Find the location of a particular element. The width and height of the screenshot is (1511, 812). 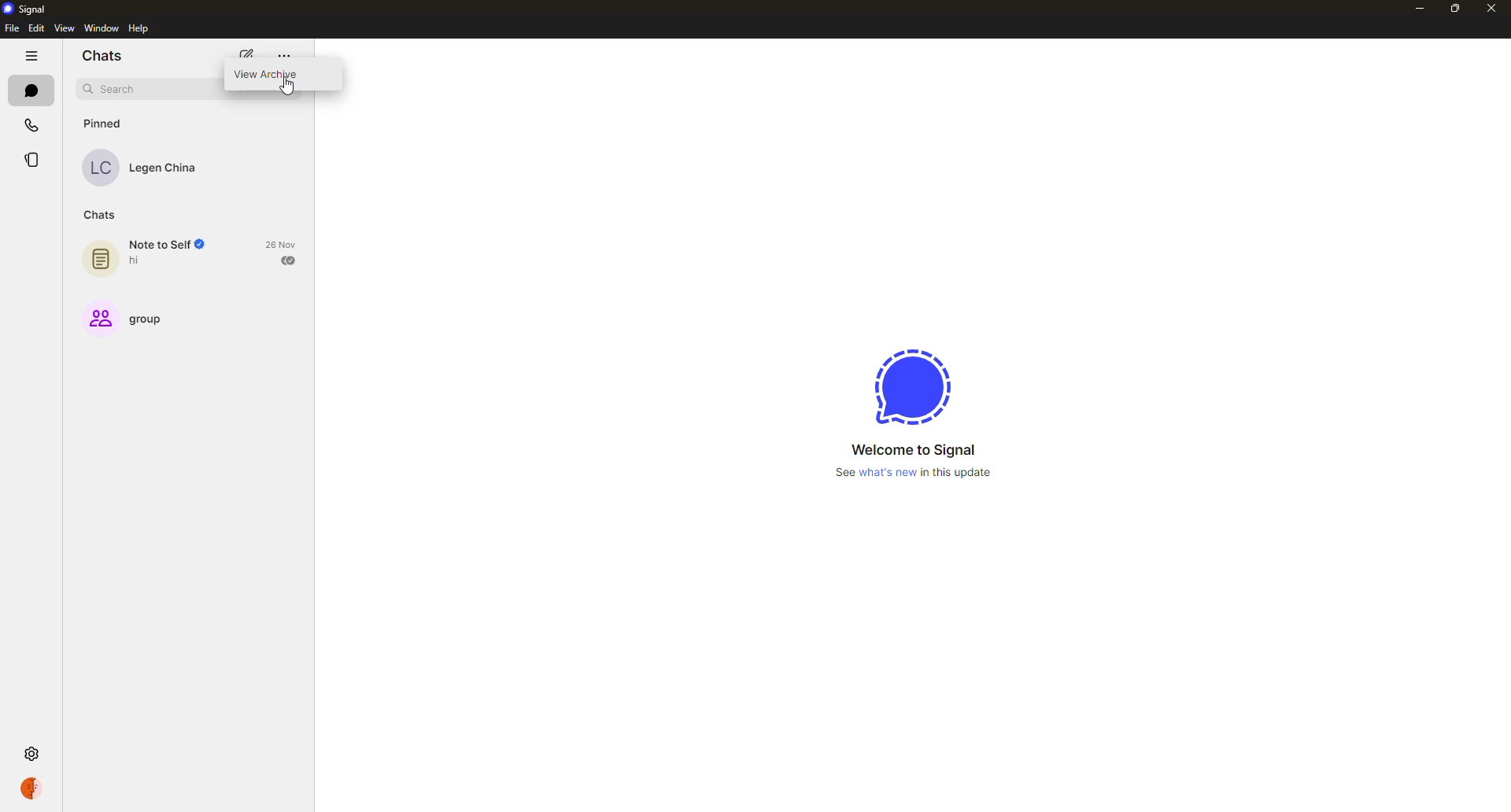

chats is located at coordinates (103, 57).